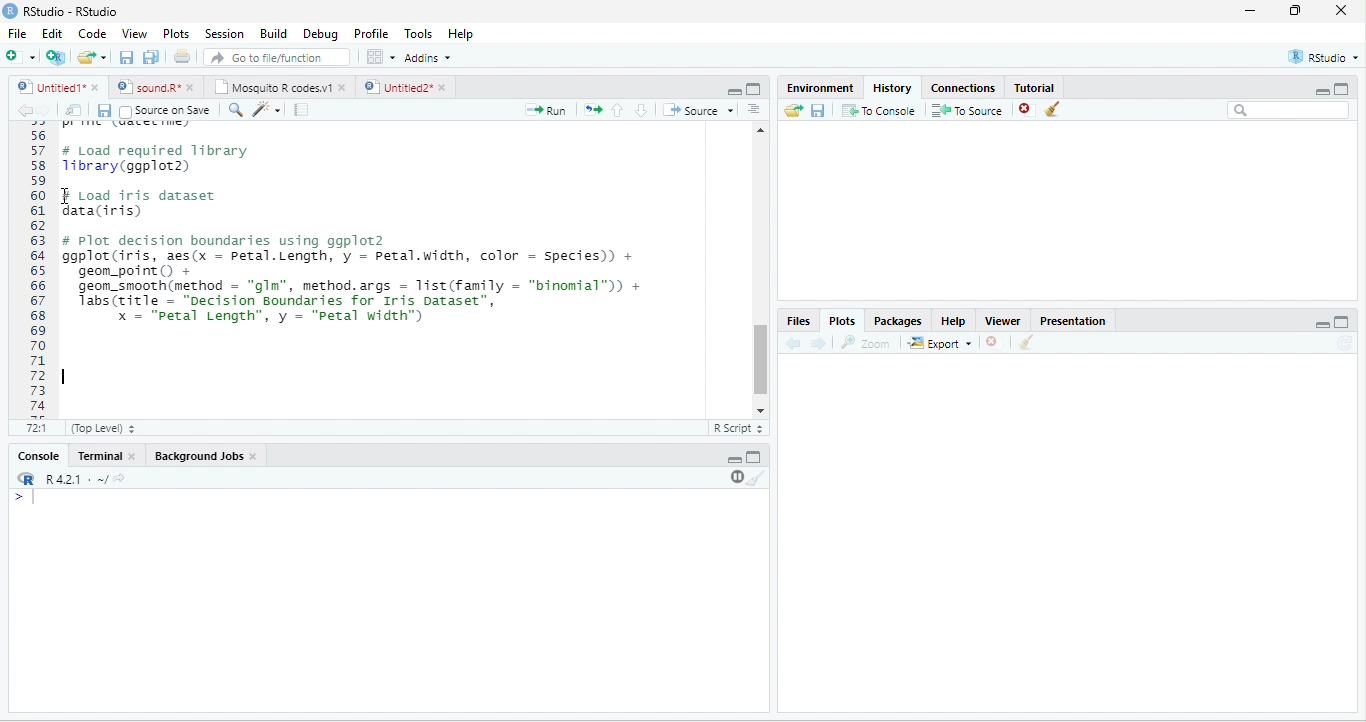 The image size is (1366, 722). I want to click on Environment, so click(821, 87).